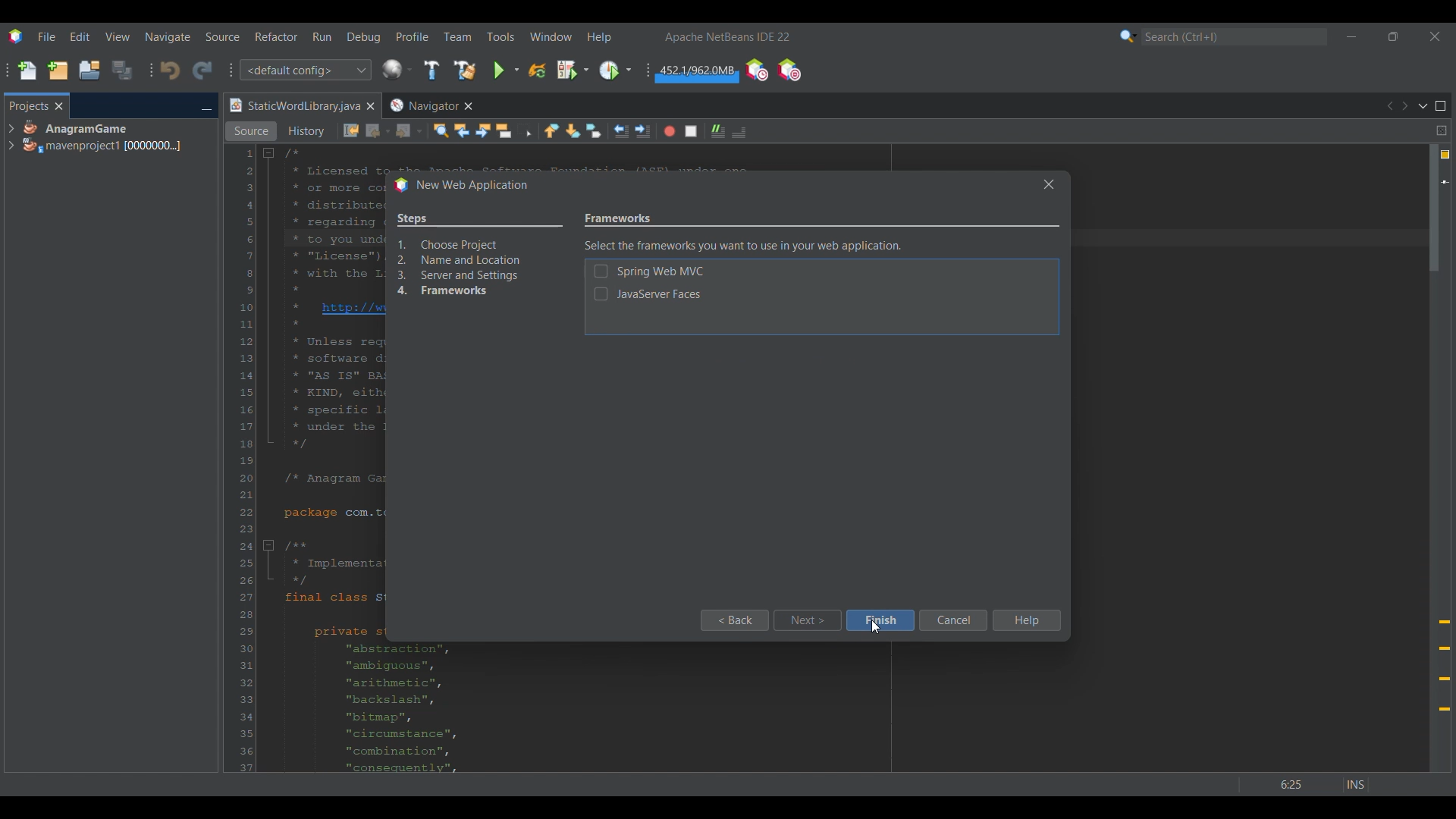 The image size is (1456, 819). I want to click on Help menu, so click(599, 37).